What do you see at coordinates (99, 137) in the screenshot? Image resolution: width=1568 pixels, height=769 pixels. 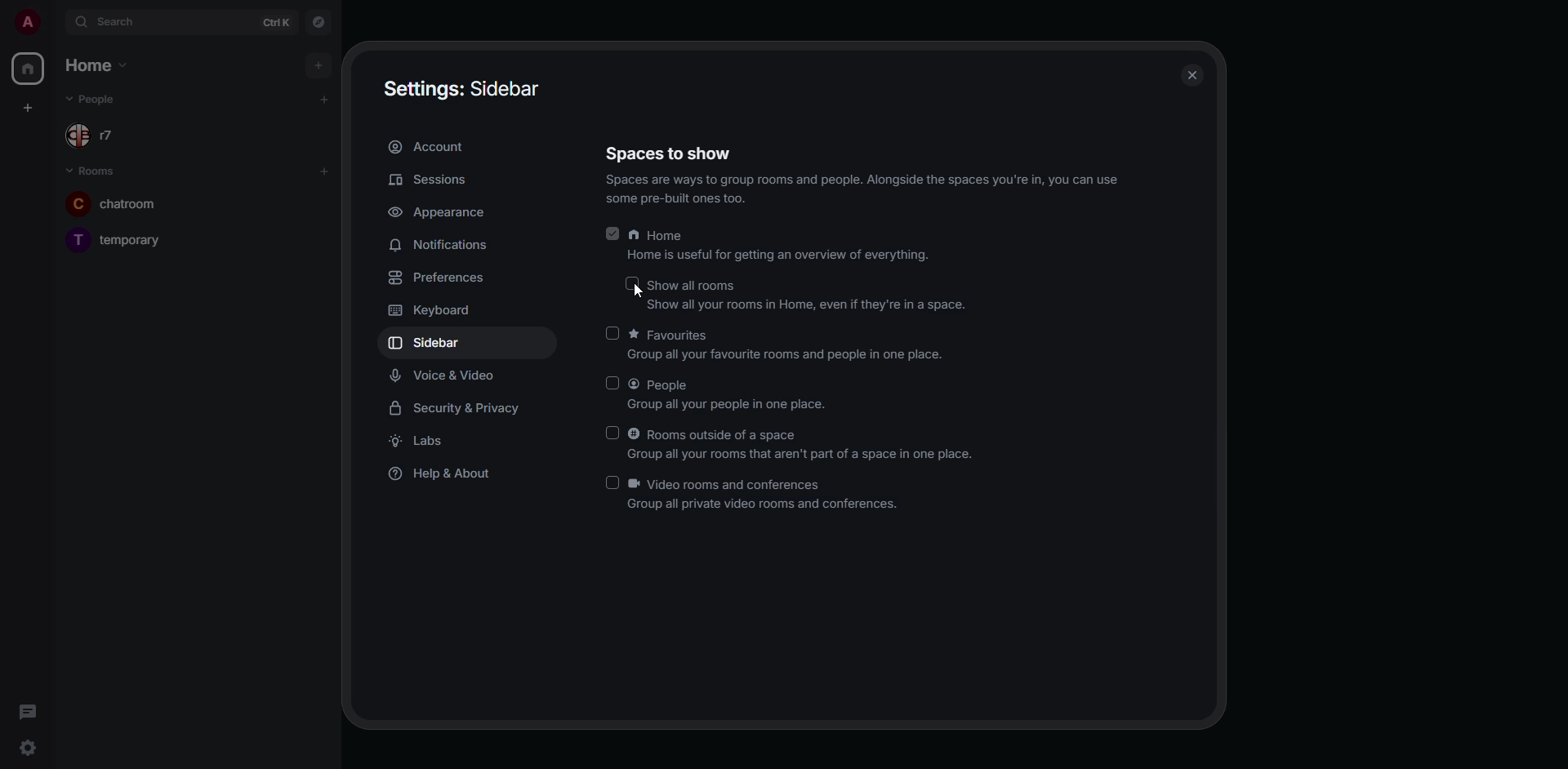 I see `r7` at bounding box center [99, 137].